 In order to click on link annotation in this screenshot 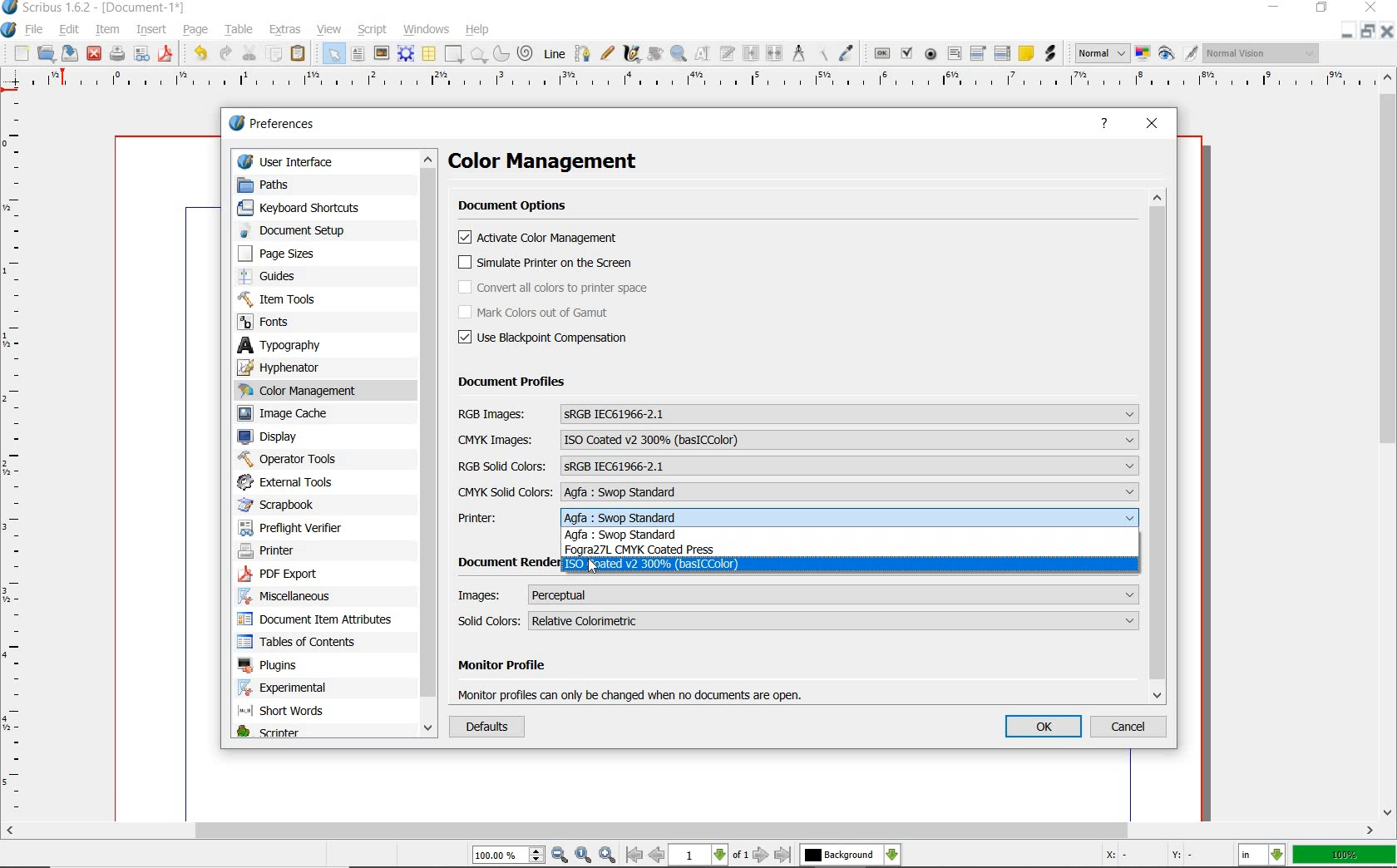, I will do `click(1051, 54)`.